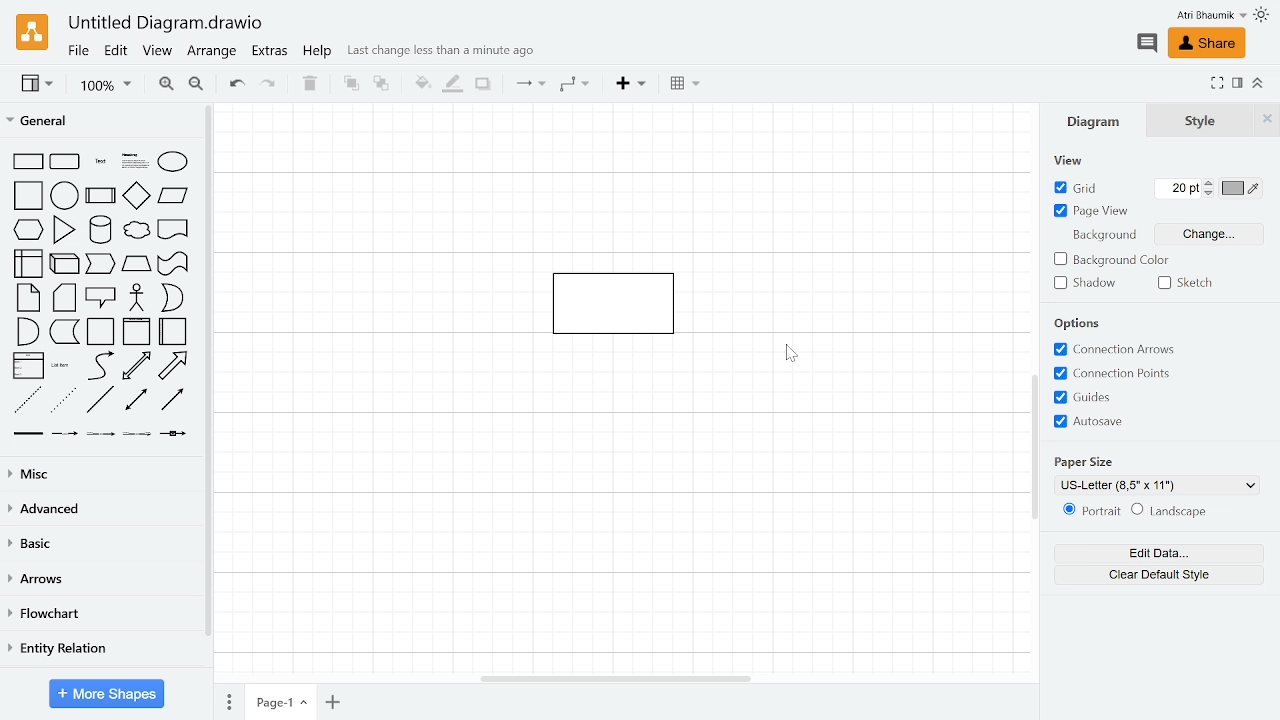  What do you see at coordinates (1149, 44) in the screenshot?
I see `Comment` at bounding box center [1149, 44].